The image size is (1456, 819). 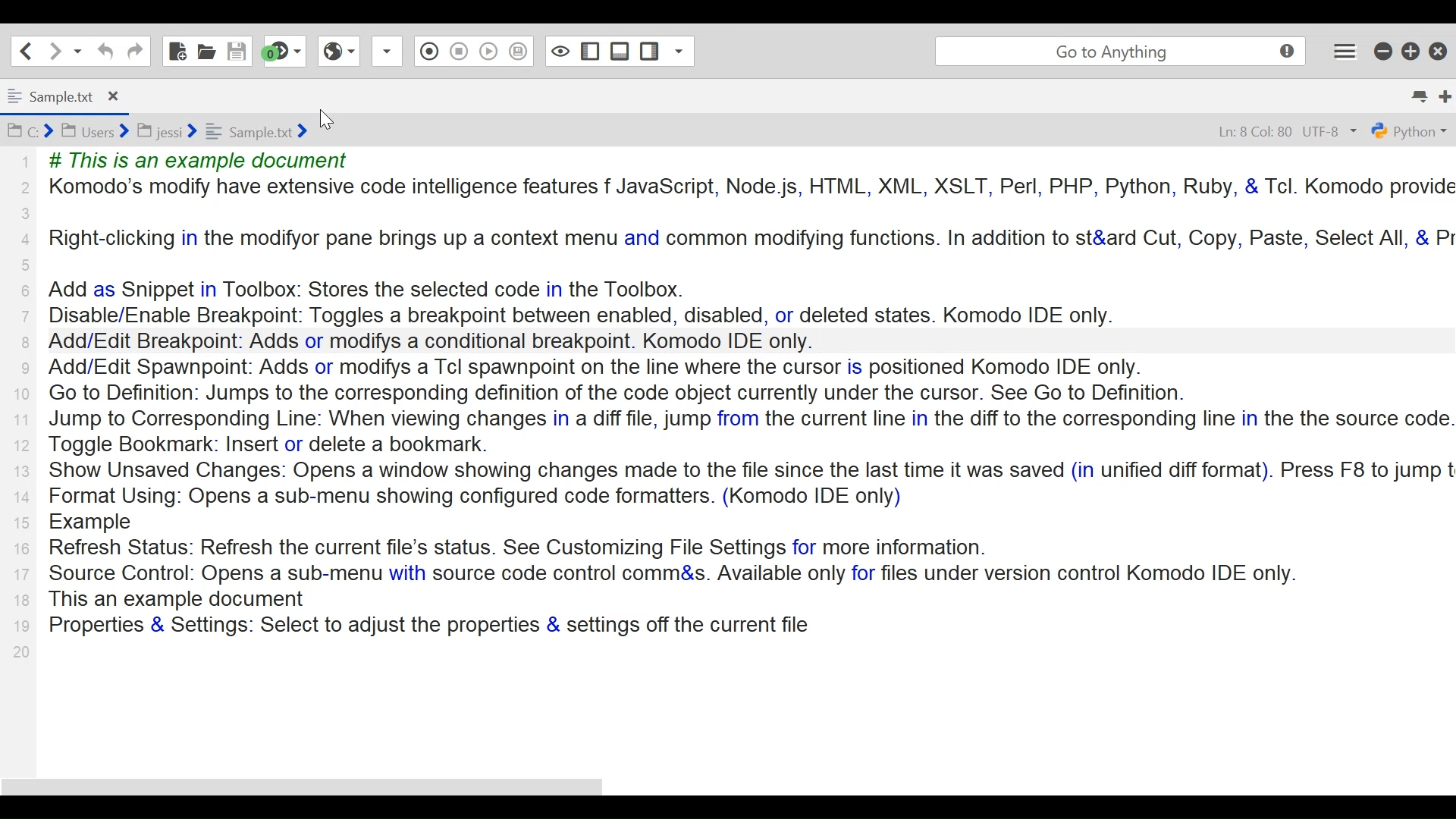 What do you see at coordinates (1412, 50) in the screenshot?
I see `Restore` at bounding box center [1412, 50].